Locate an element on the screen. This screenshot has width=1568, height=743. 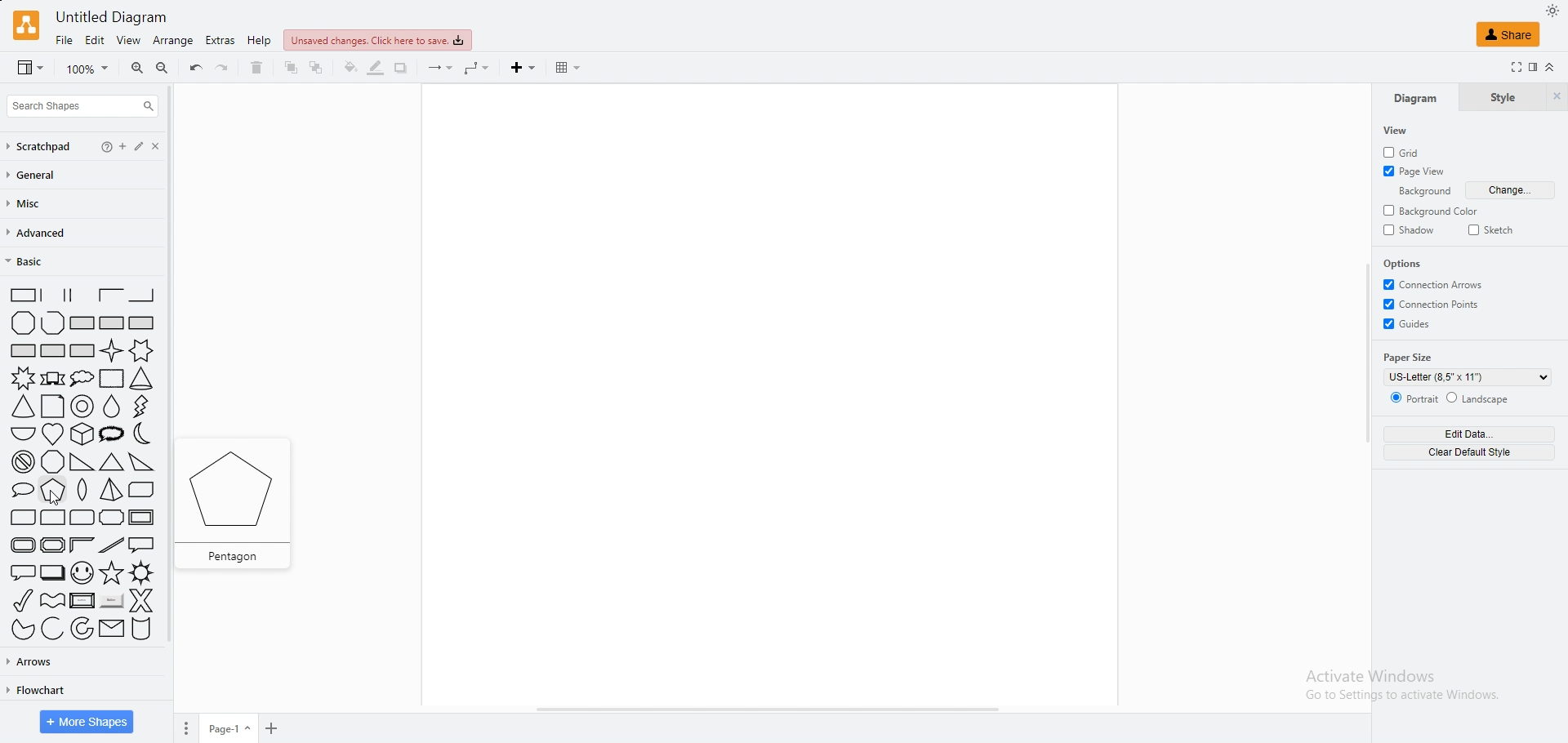
isometric cube is located at coordinates (83, 434).